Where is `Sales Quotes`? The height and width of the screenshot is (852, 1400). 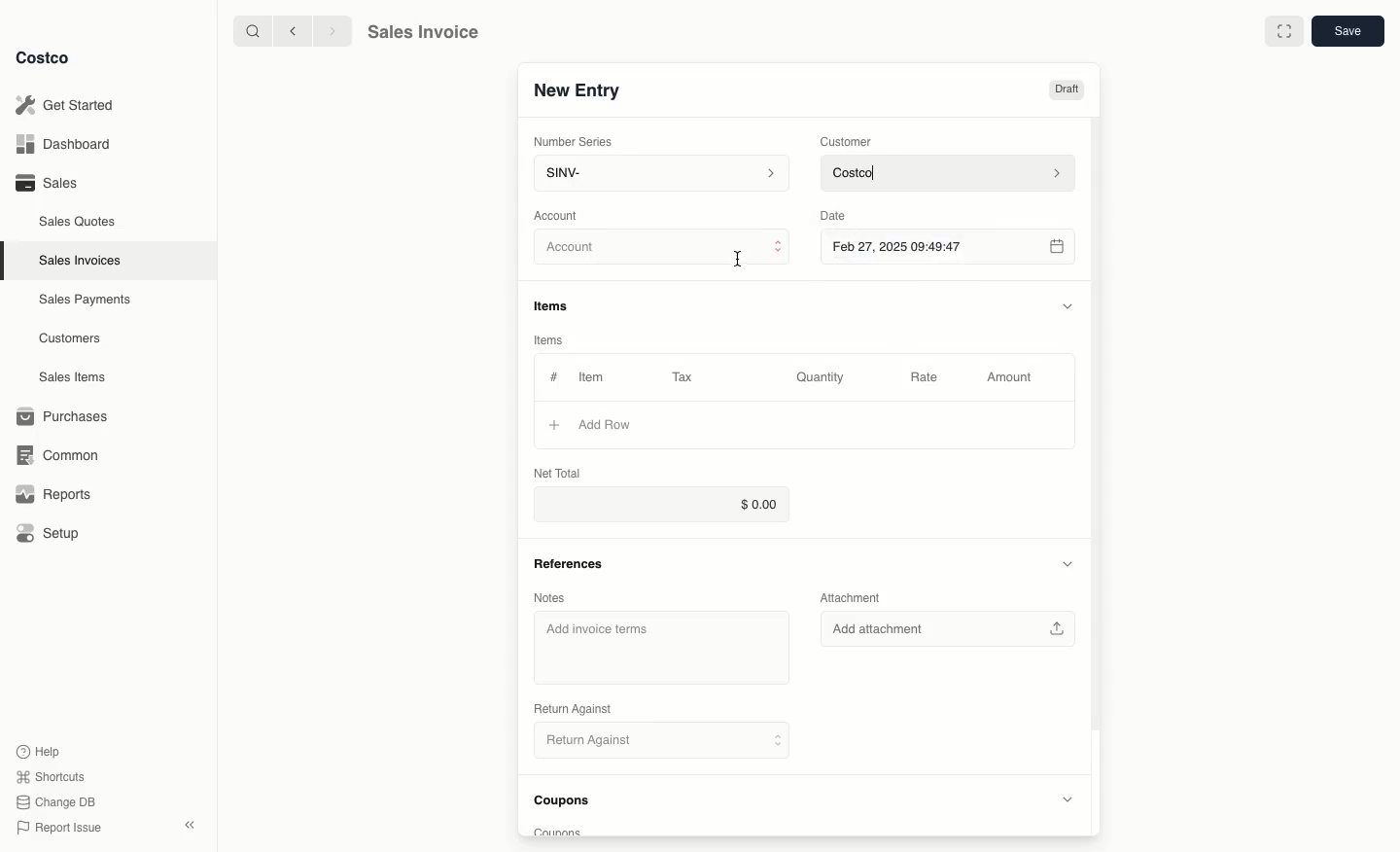
Sales Quotes is located at coordinates (79, 221).